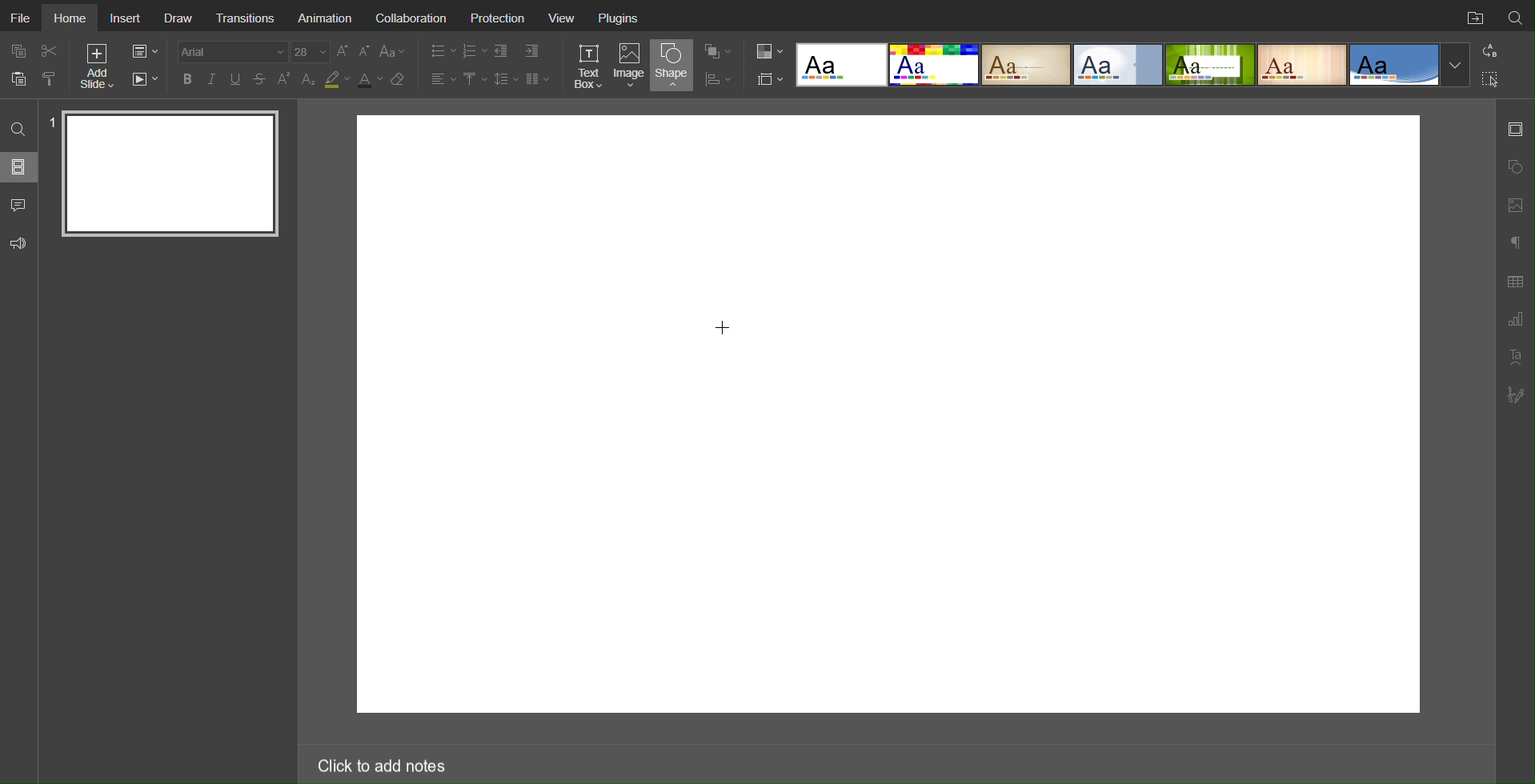 The width and height of the screenshot is (1535, 784). I want to click on Superscript, so click(285, 79).